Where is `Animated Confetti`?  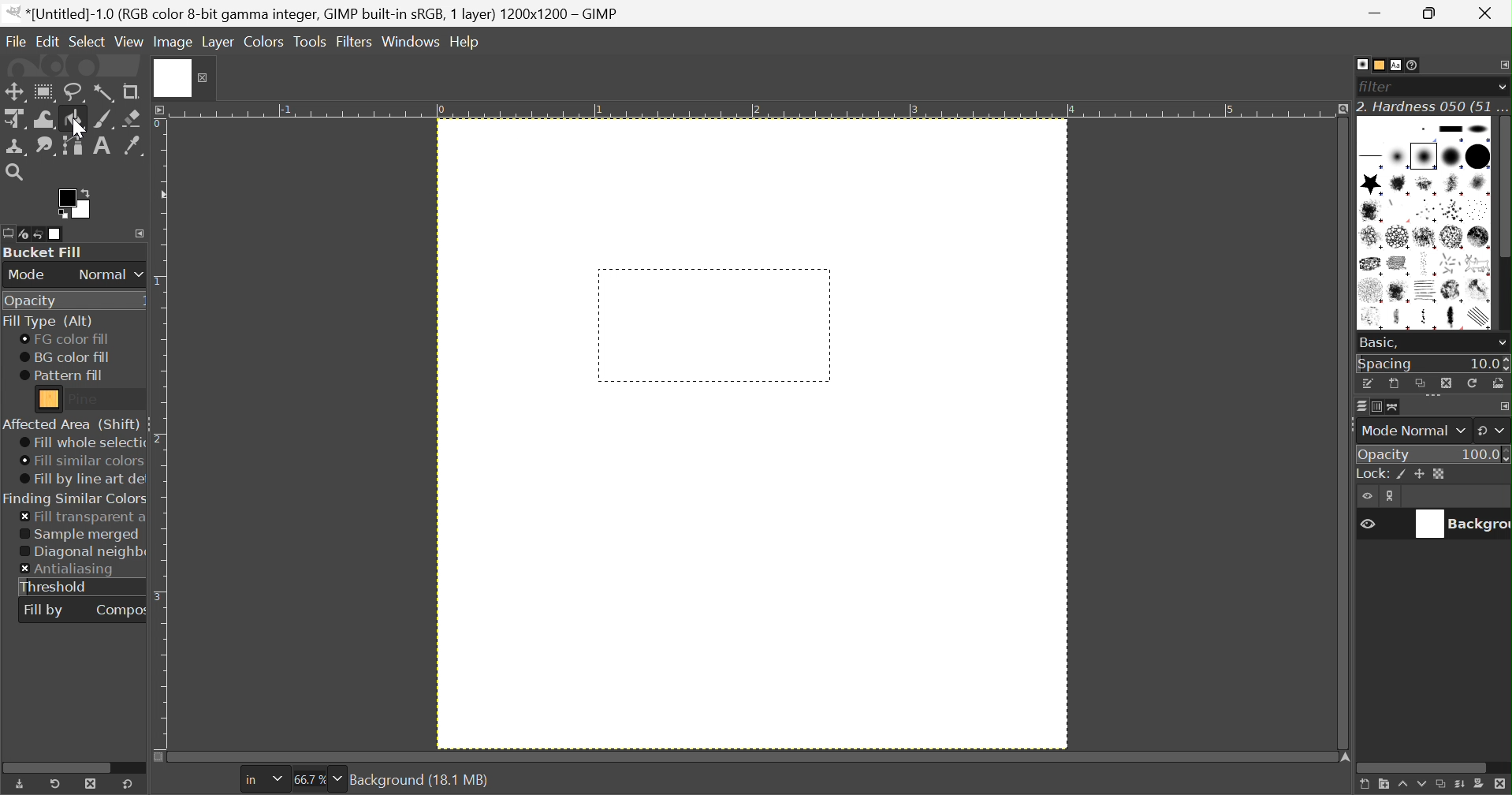 Animated Confetti is located at coordinates (1398, 211).